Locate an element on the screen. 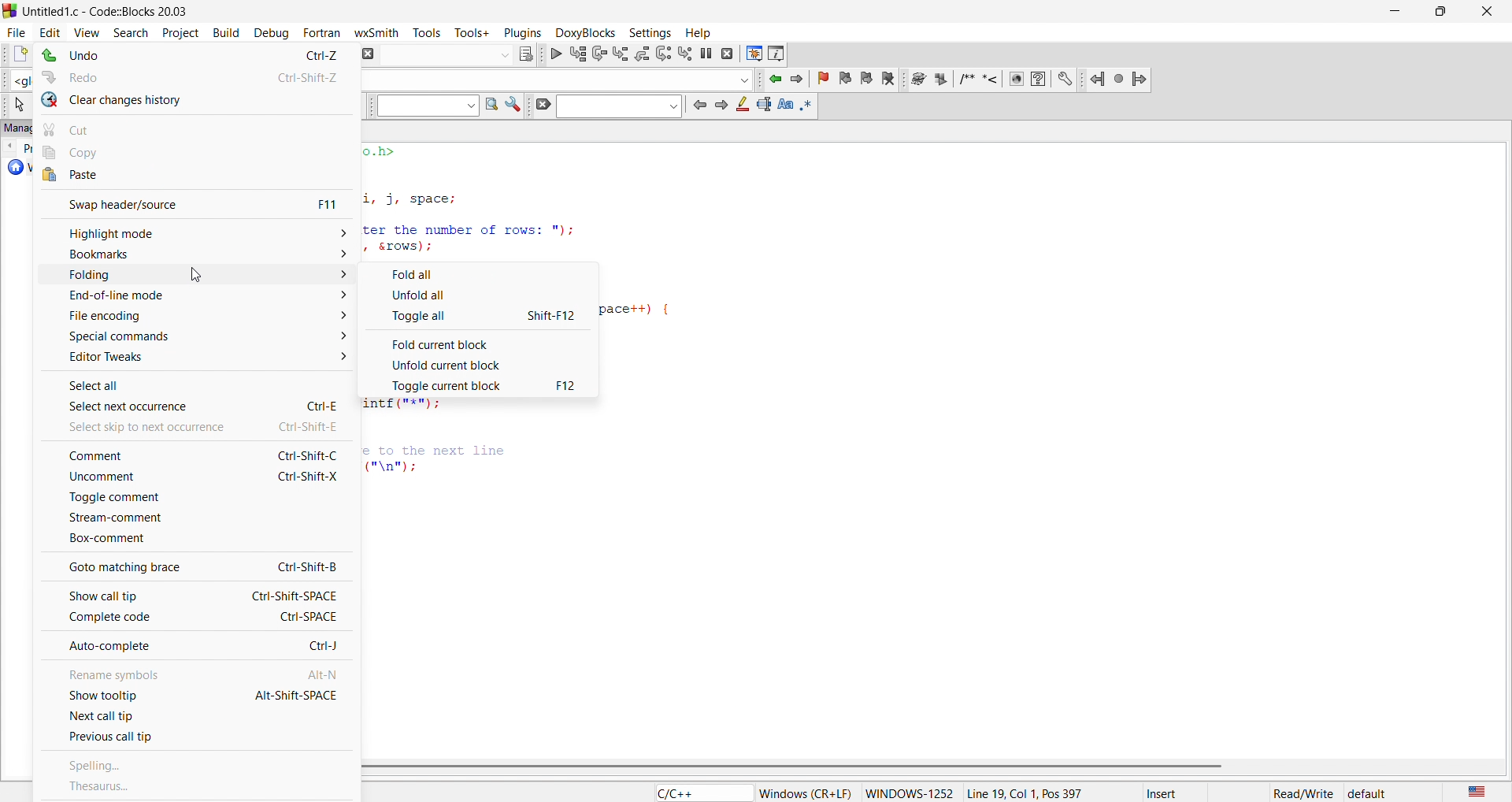 Image resolution: width=1512 pixels, height=802 pixels. select is located at coordinates (17, 105).